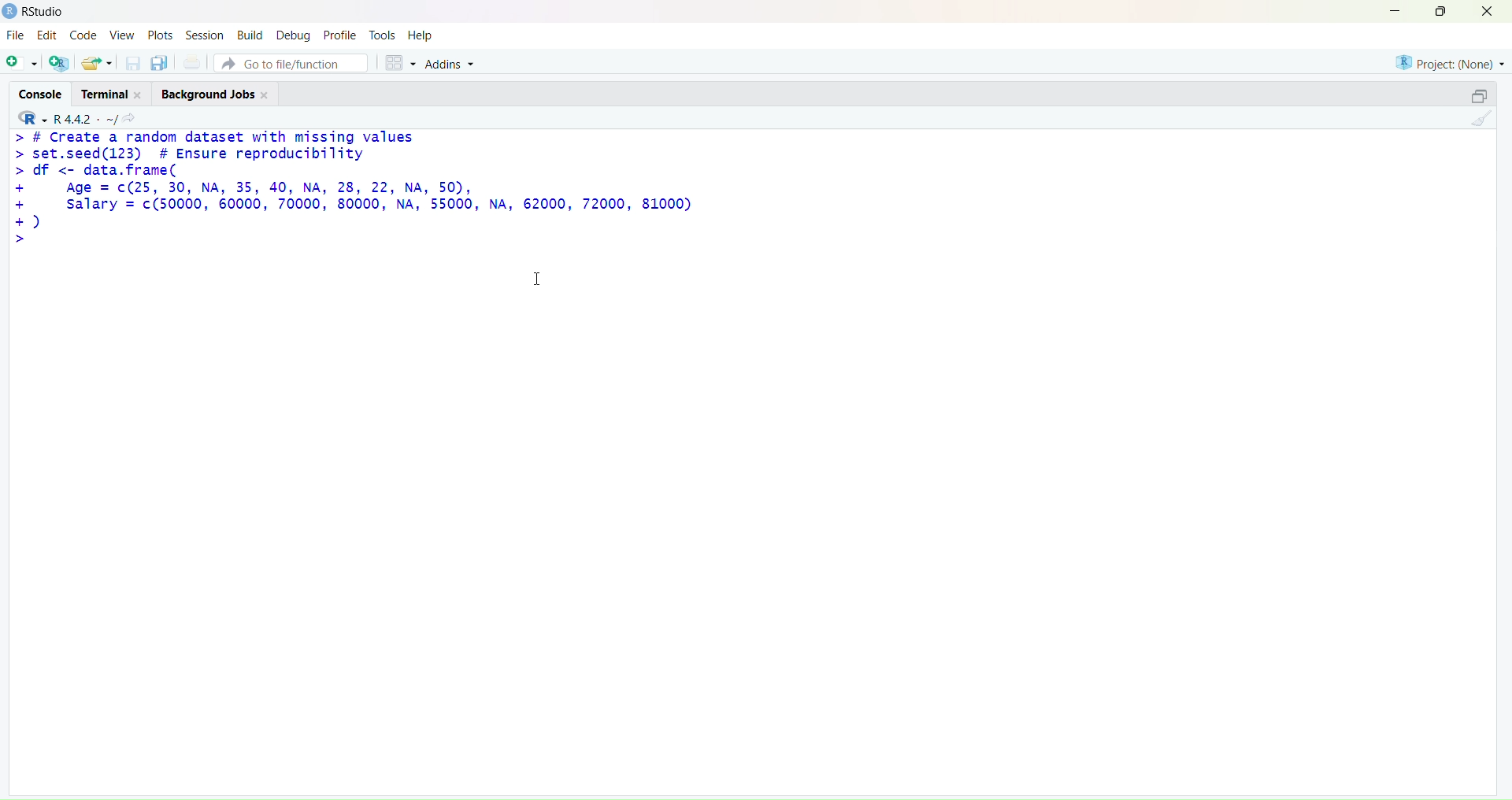 The width and height of the screenshot is (1512, 800). Describe the element at coordinates (1483, 121) in the screenshot. I see `clear console ` at that location.